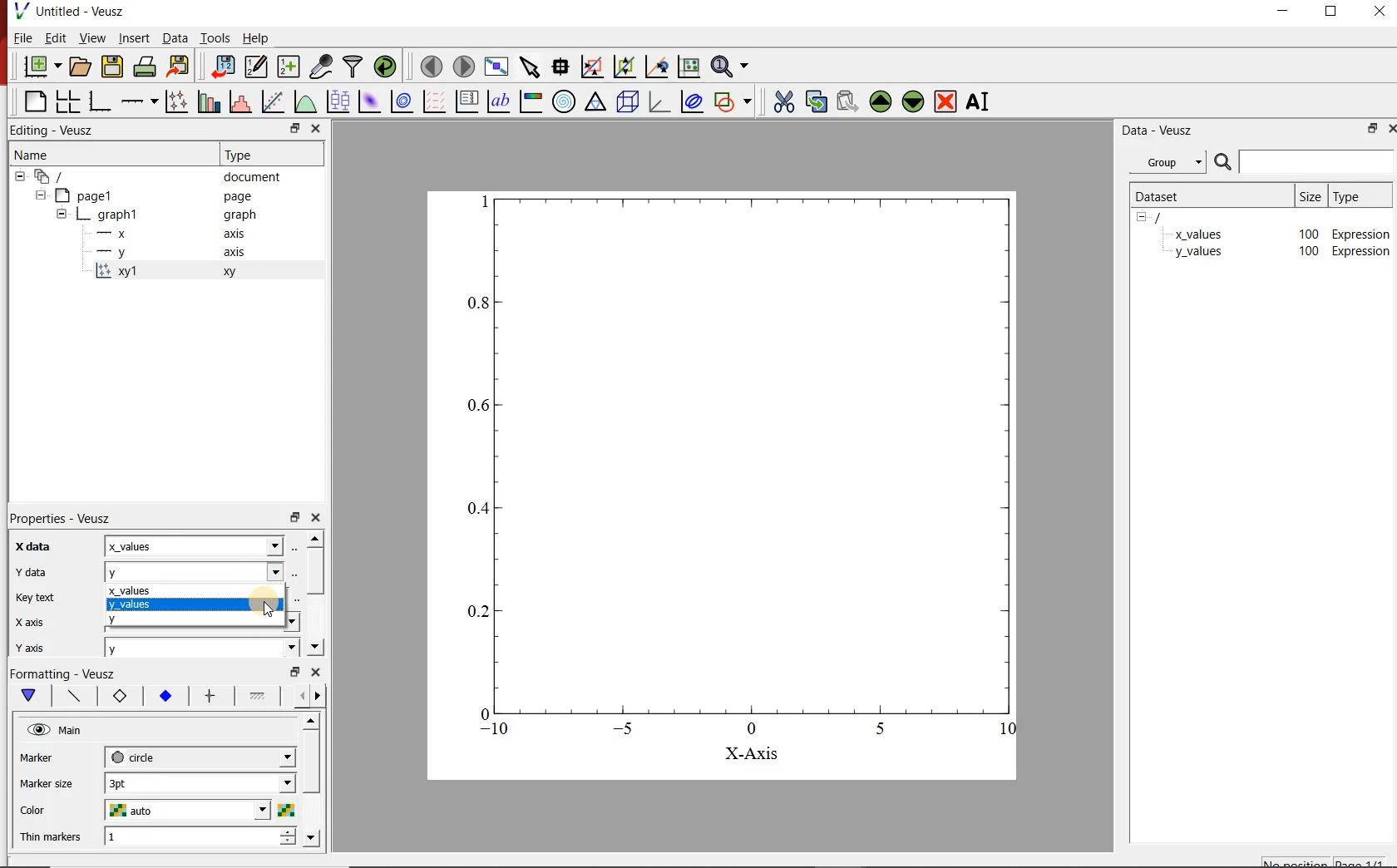 Image resolution: width=1397 pixels, height=868 pixels. I want to click on x_values, so click(194, 545).